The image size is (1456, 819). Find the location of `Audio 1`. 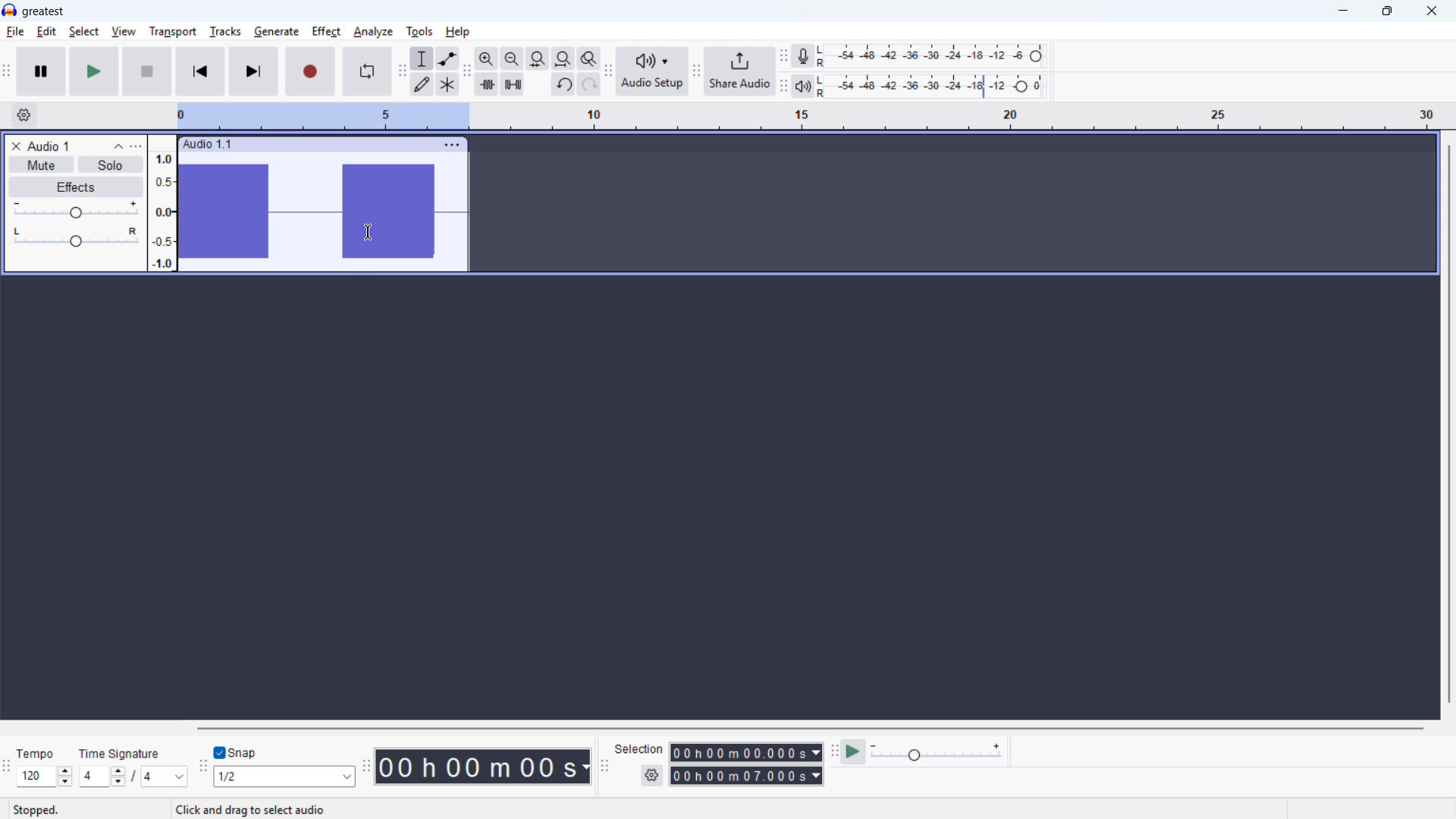

Audio 1 is located at coordinates (49, 146).